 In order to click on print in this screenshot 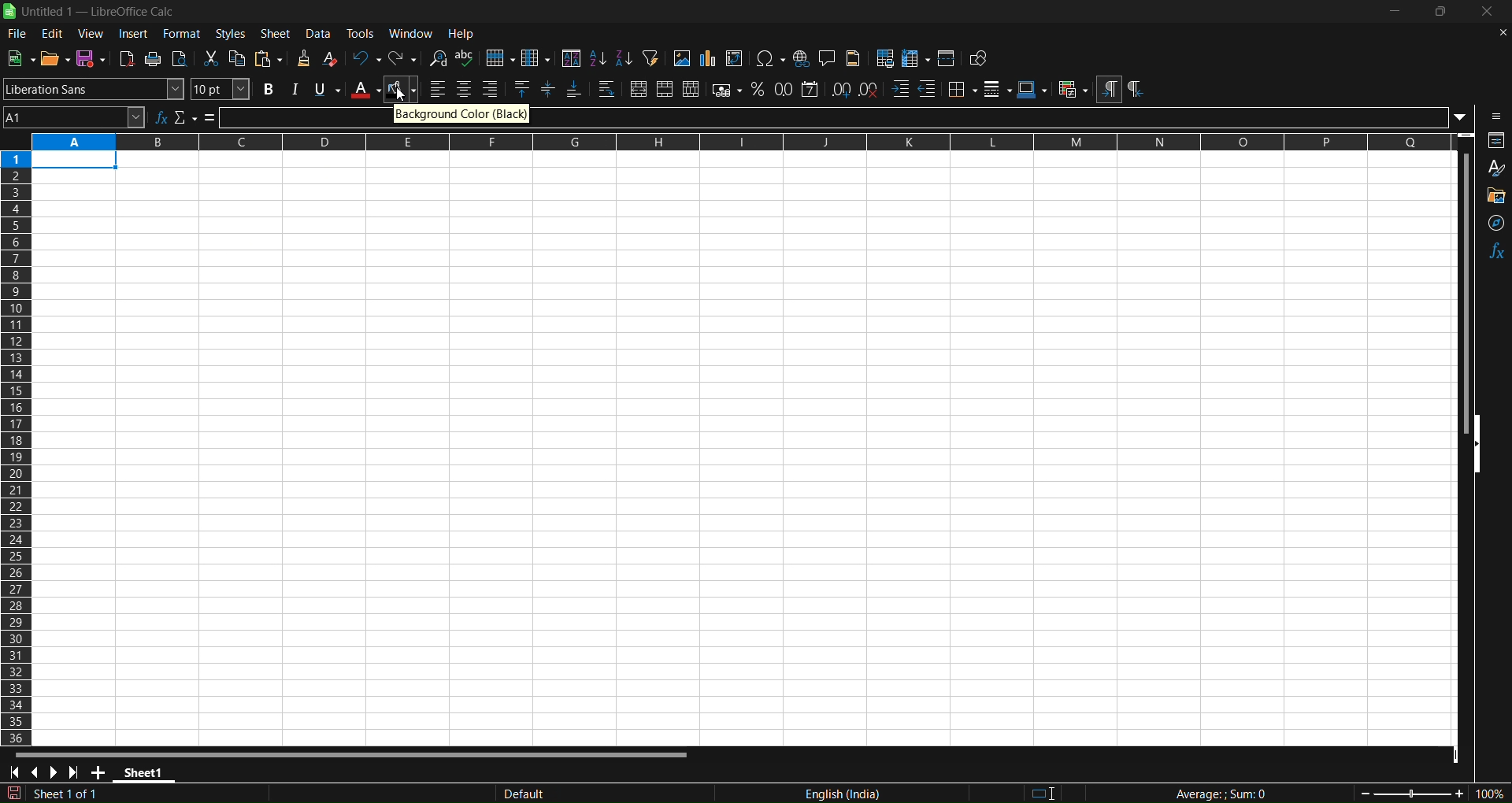, I will do `click(154, 59)`.